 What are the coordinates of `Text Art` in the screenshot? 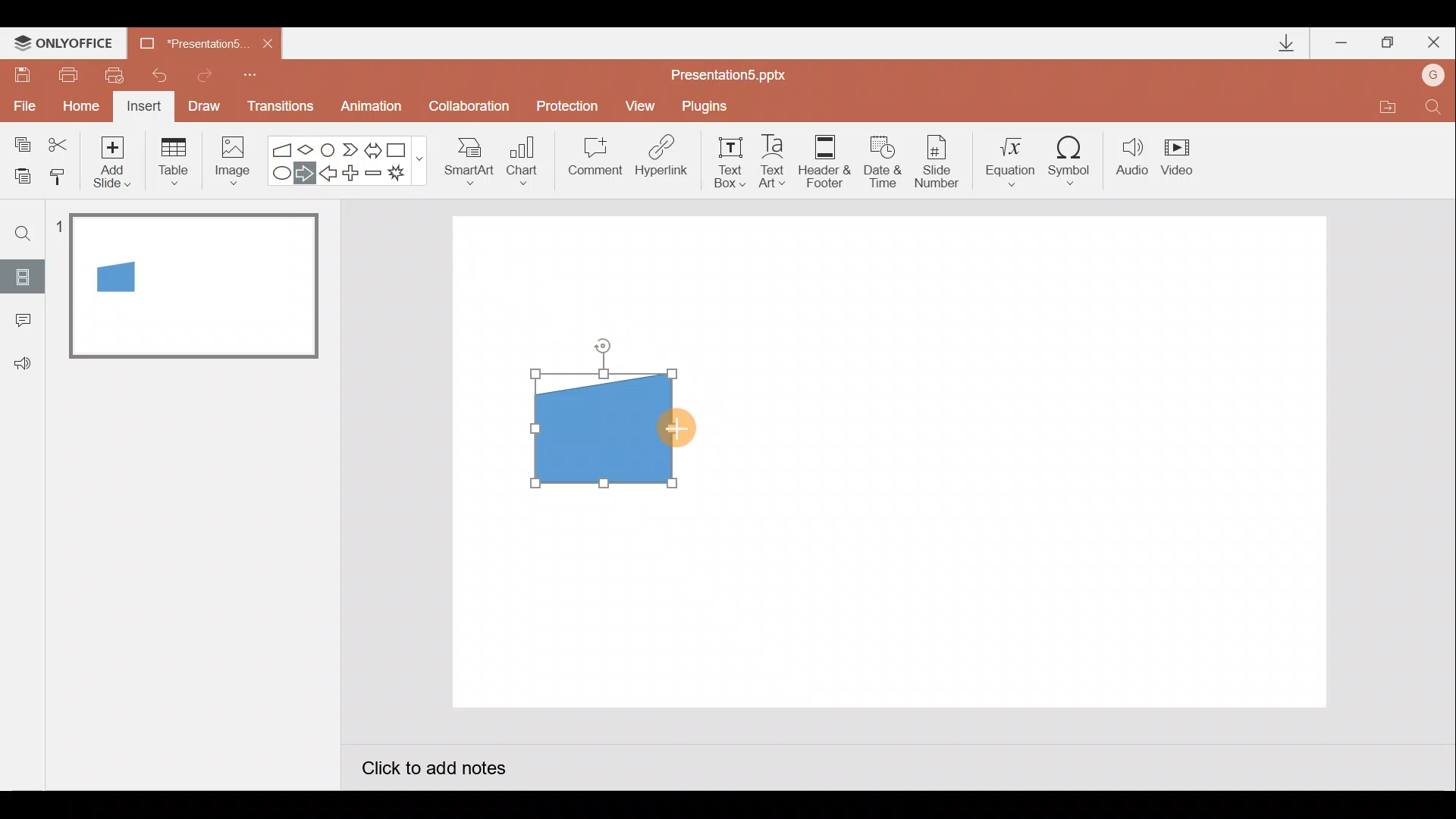 It's located at (777, 161).